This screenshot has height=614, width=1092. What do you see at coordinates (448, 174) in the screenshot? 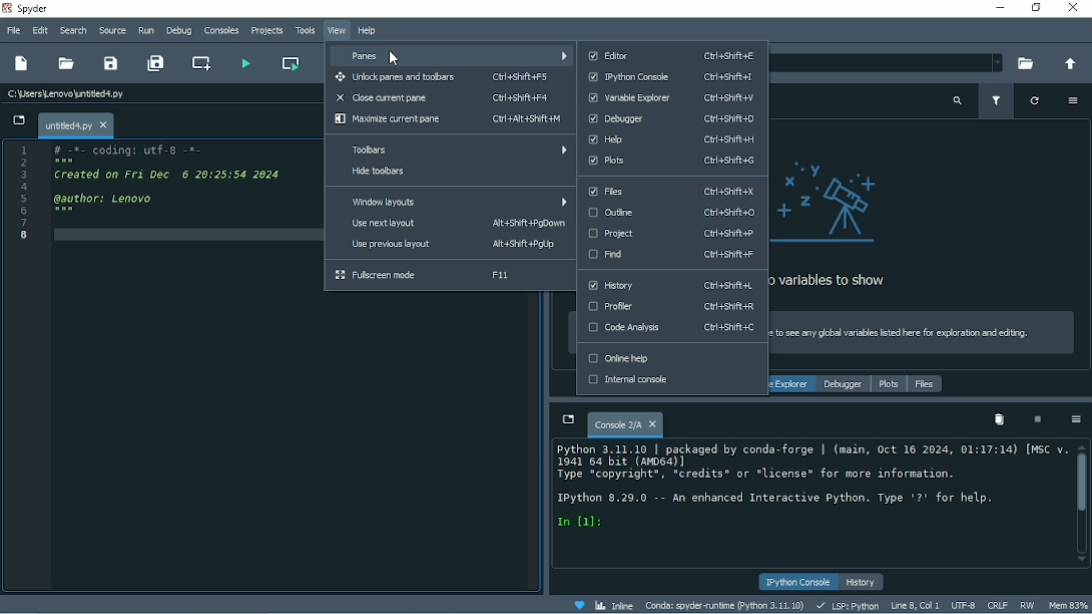
I see `Hide toolbars` at bounding box center [448, 174].